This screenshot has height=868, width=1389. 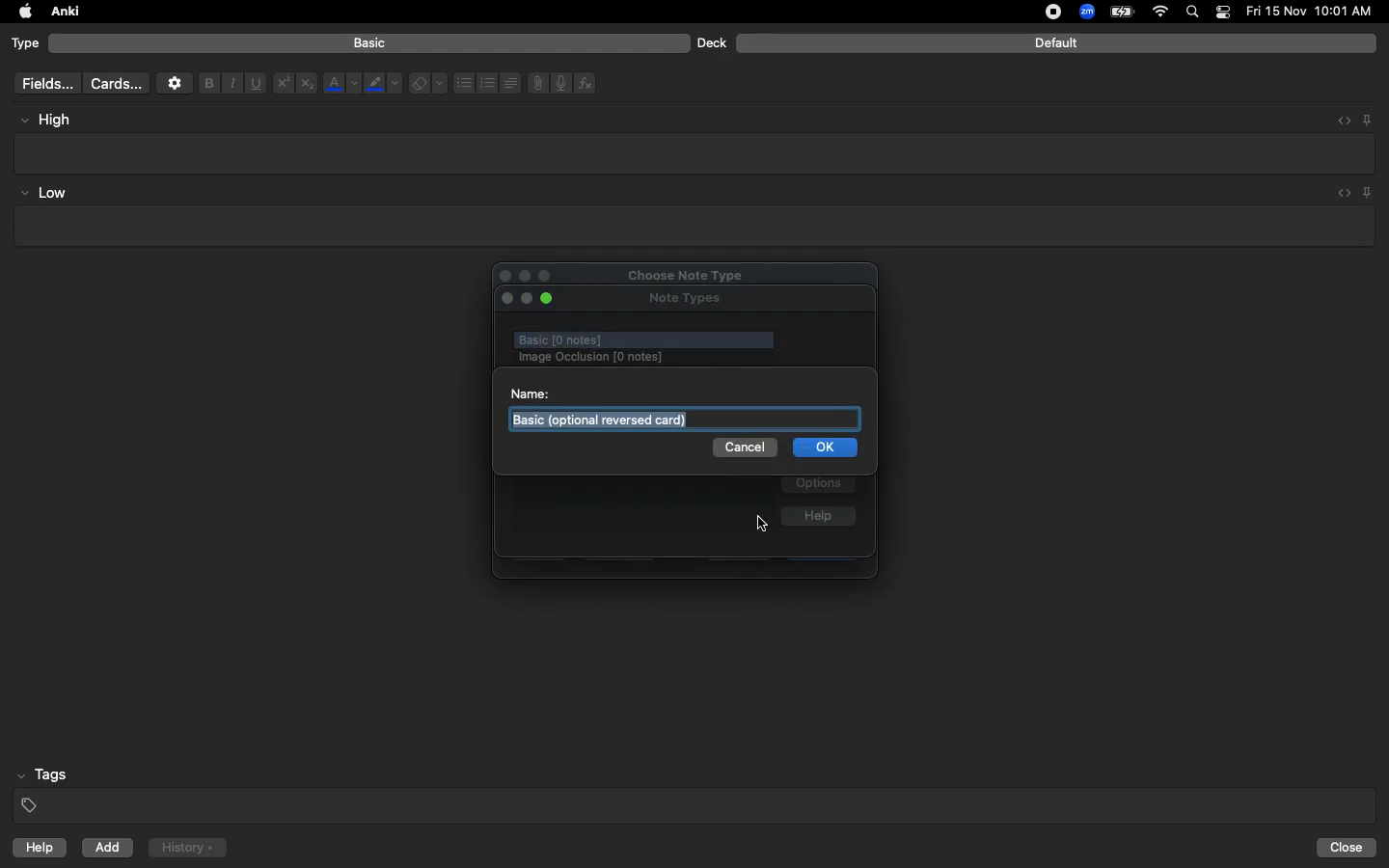 I want to click on Embed, so click(x=1340, y=194).